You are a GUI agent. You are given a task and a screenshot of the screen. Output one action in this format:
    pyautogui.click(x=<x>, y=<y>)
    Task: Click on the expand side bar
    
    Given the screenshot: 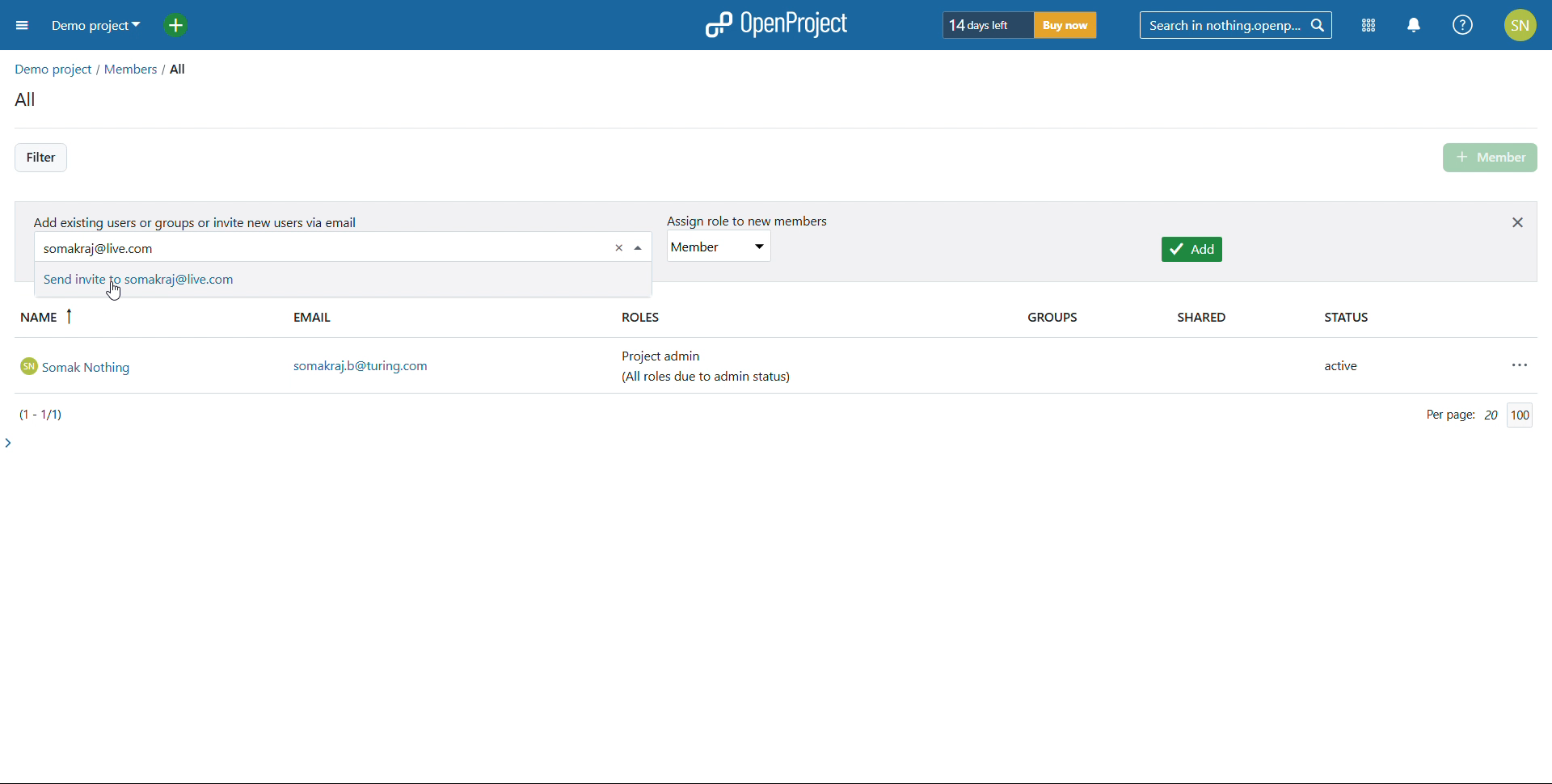 What is the action you would take?
    pyautogui.click(x=11, y=442)
    